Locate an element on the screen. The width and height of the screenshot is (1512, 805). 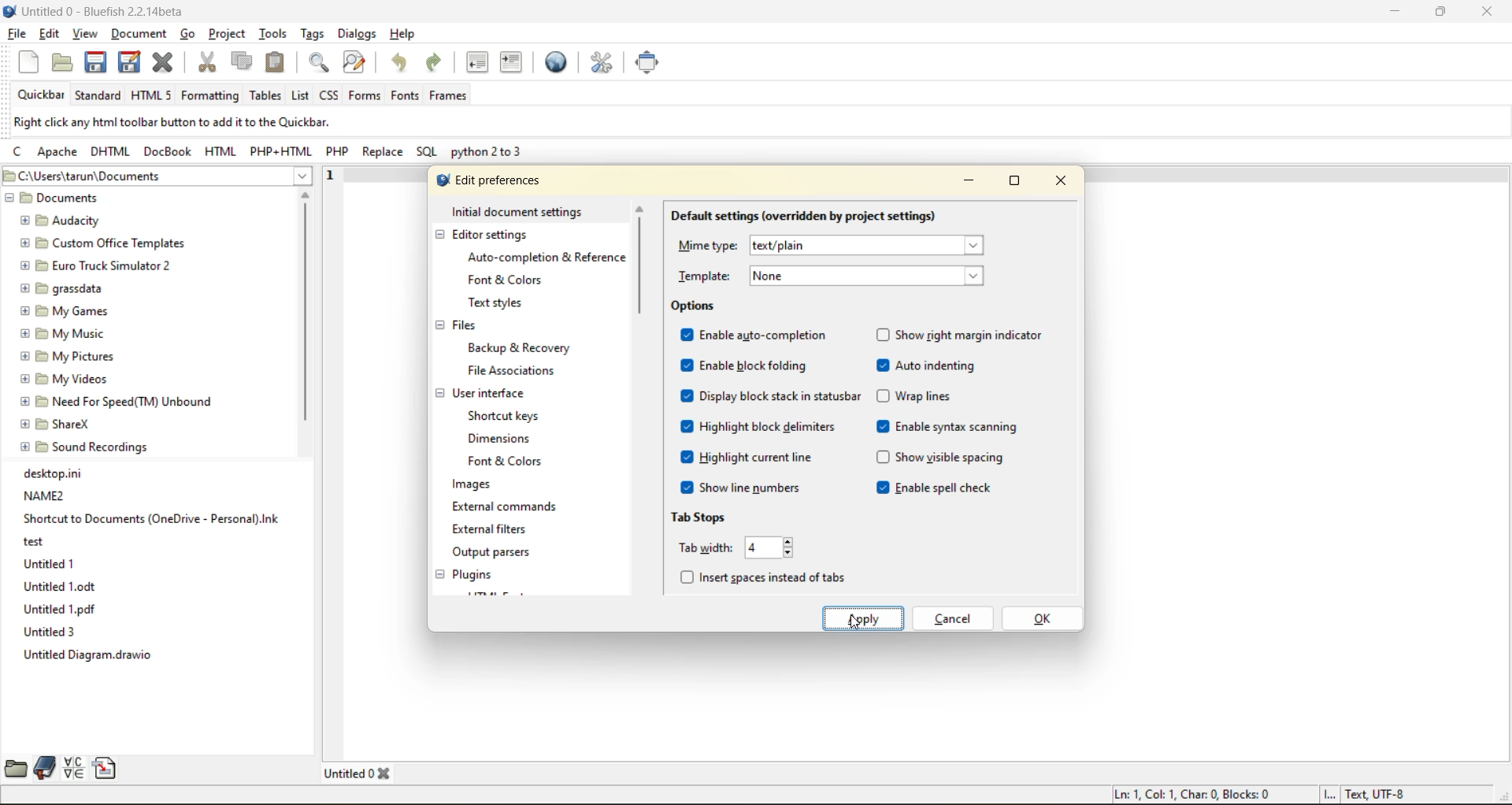
tabs is located at coordinates (361, 772).